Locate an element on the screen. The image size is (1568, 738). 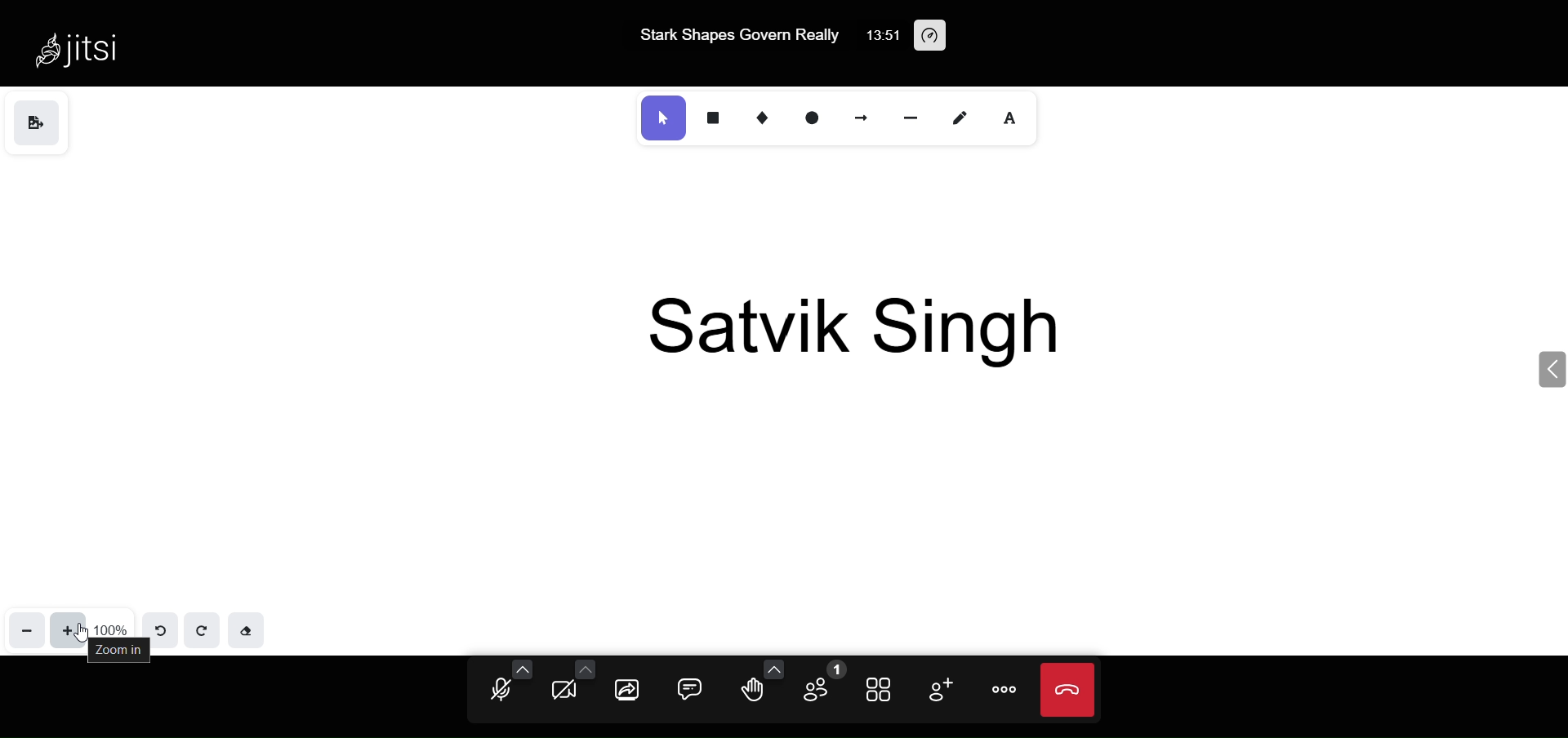
cursor is located at coordinates (83, 639).